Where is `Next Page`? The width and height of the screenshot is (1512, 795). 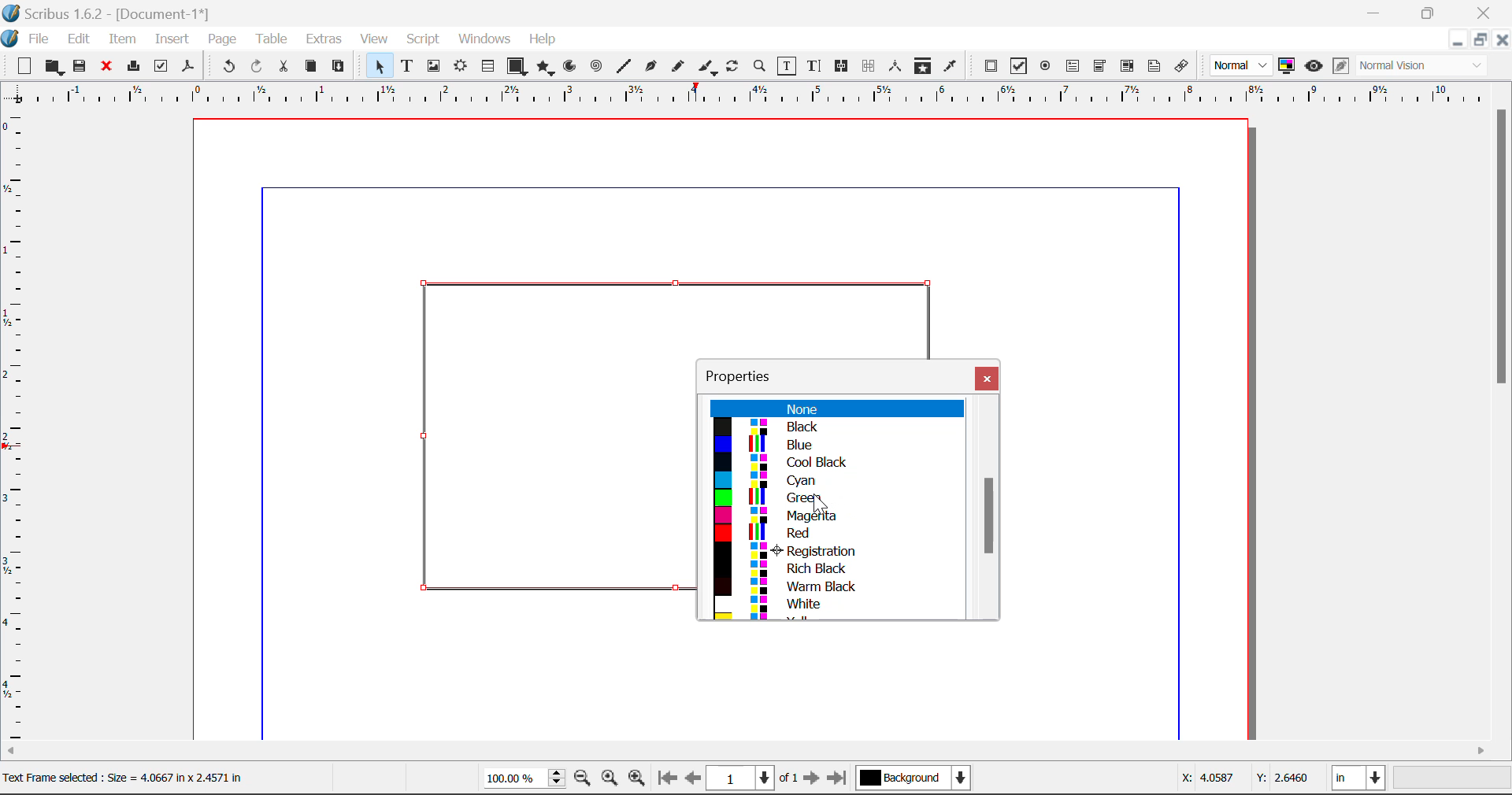 Next Page is located at coordinates (814, 781).